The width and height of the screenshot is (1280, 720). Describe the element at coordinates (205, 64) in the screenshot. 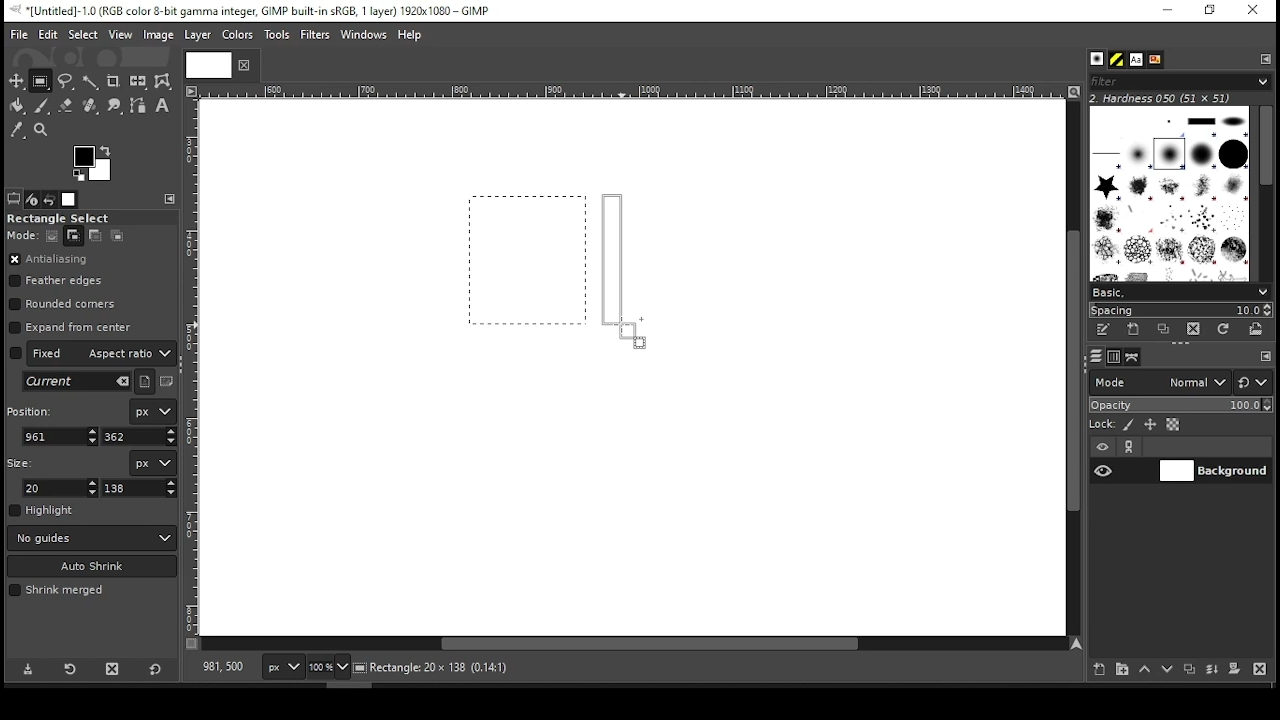

I see `` at that location.